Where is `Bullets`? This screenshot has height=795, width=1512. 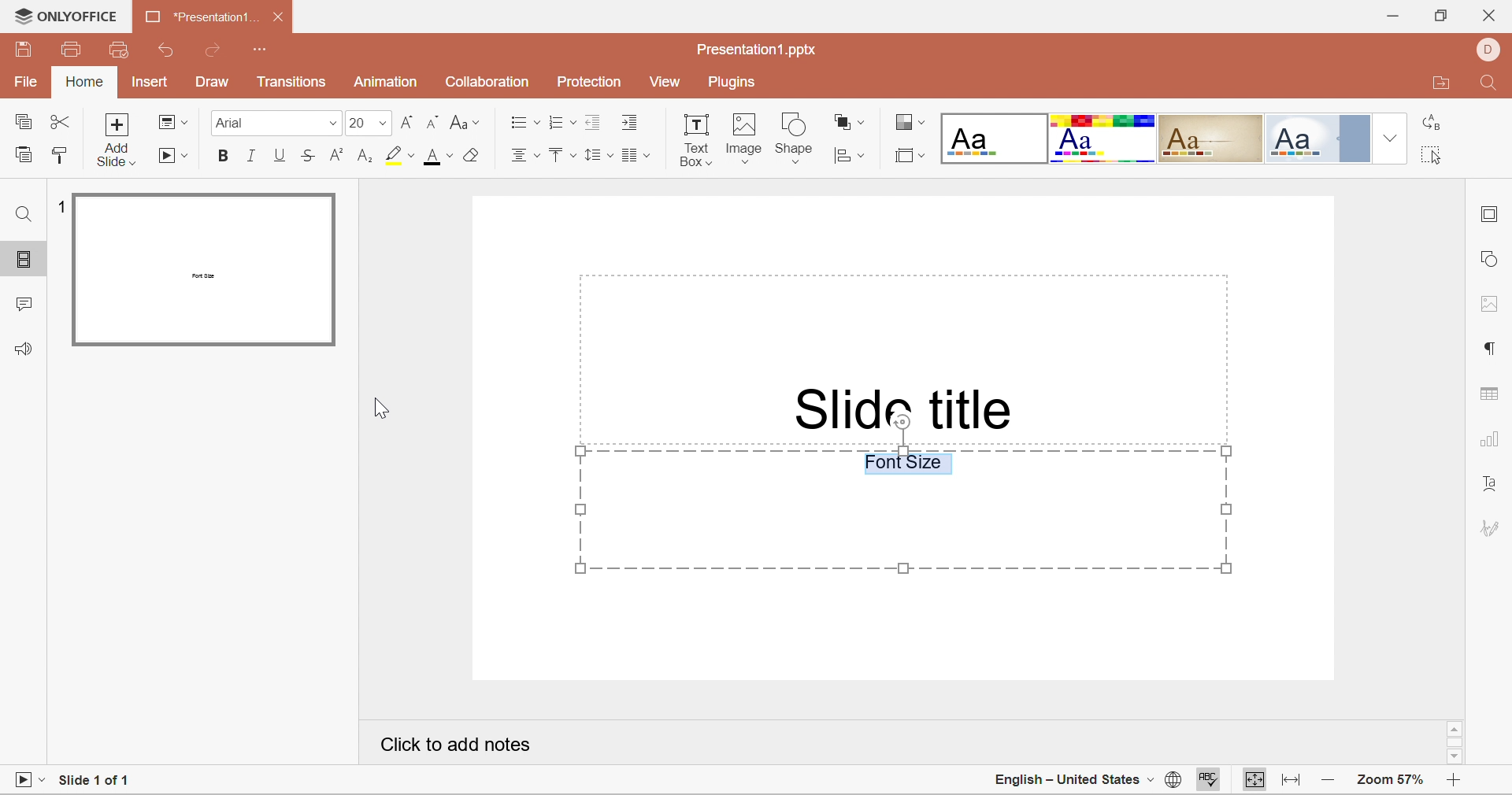
Bullets is located at coordinates (524, 122).